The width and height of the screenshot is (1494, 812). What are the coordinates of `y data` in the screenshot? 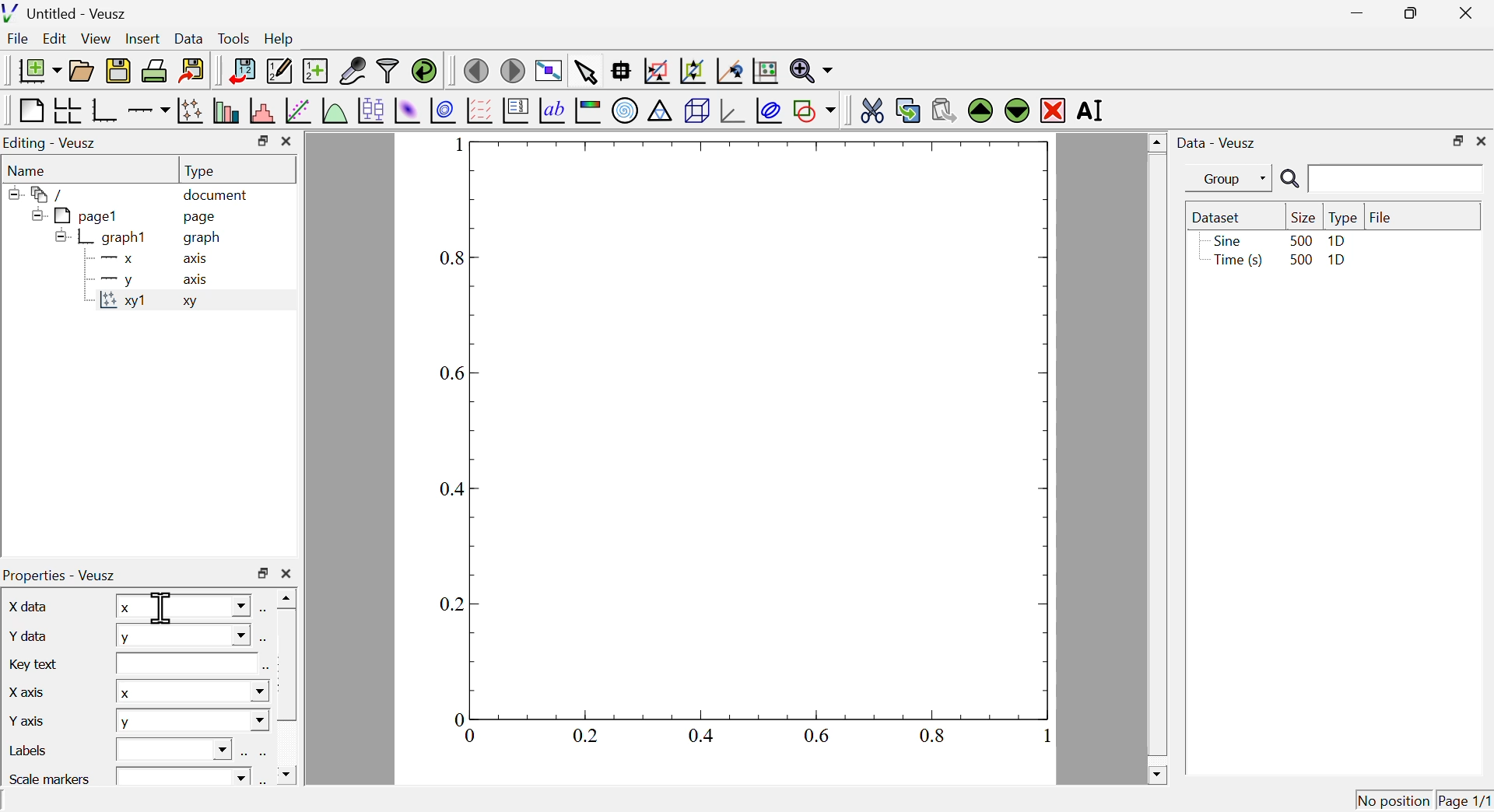 It's located at (29, 635).